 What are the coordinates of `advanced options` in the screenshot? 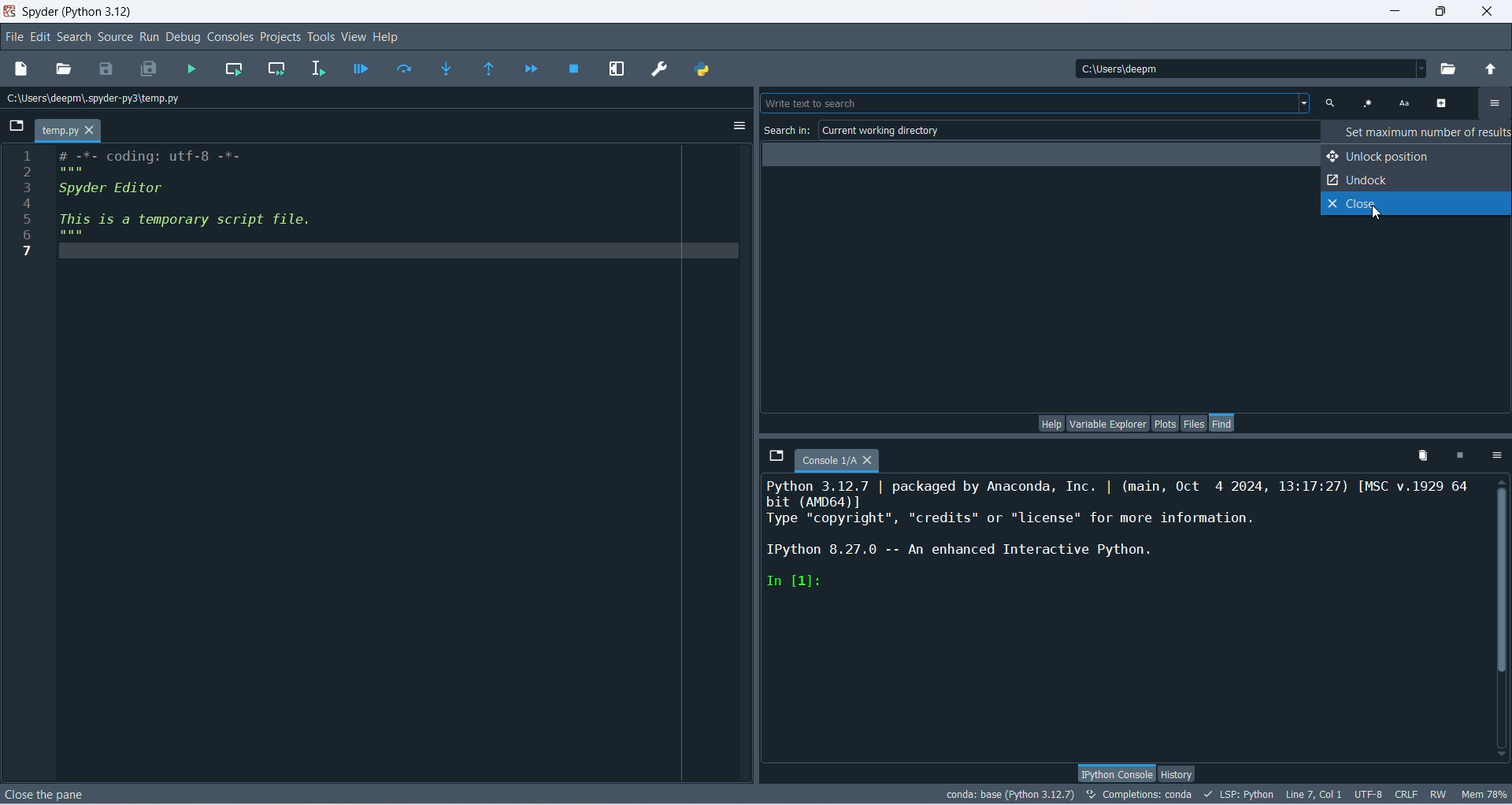 It's located at (1447, 103).